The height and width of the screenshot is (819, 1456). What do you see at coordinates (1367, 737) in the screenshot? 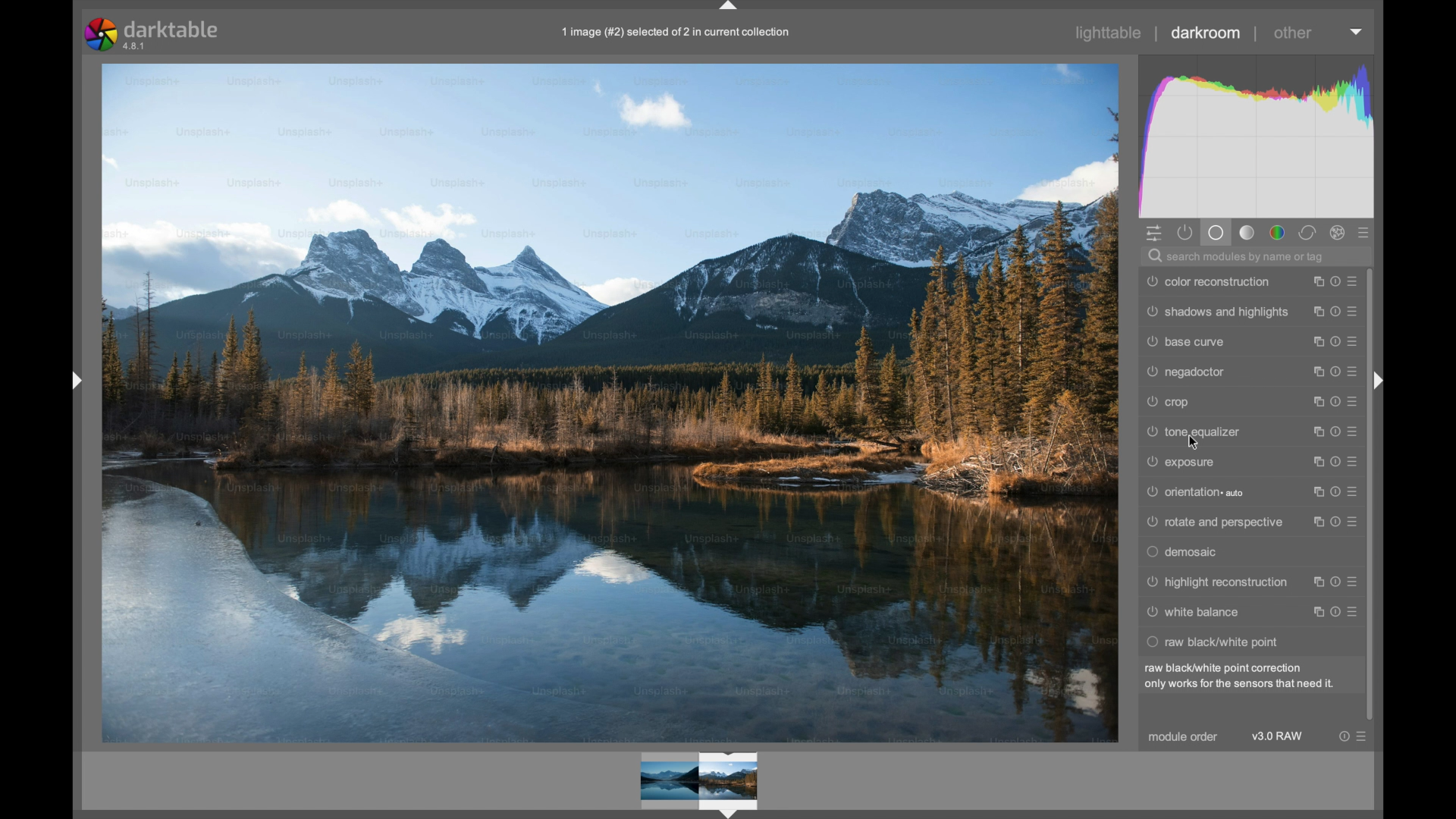
I see `presets` at bounding box center [1367, 737].